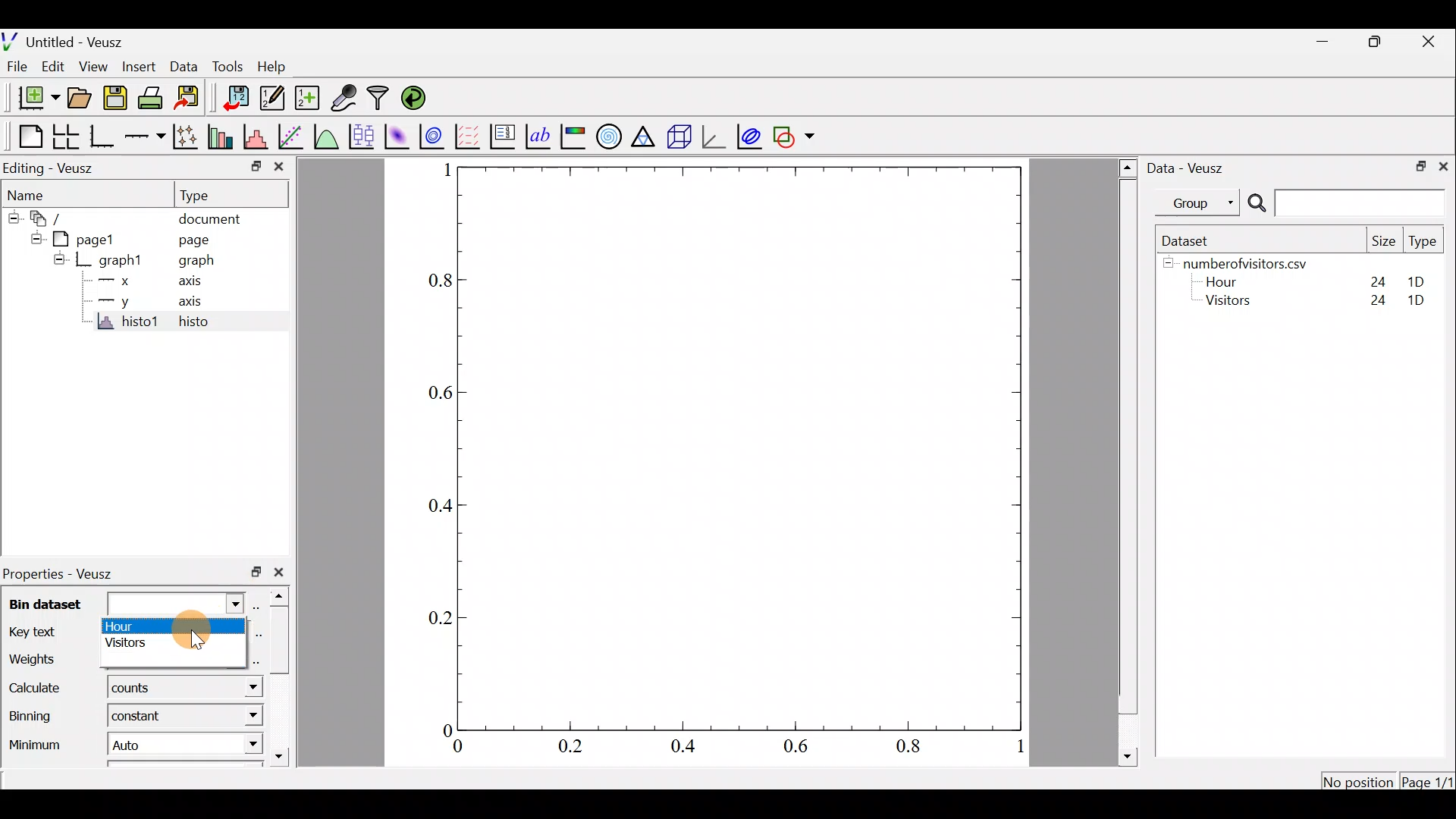 The image size is (1456, 819). What do you see at coordinates (573, 136) in the screenshot?
I see `image color bar` at bounding box center [573, 136].